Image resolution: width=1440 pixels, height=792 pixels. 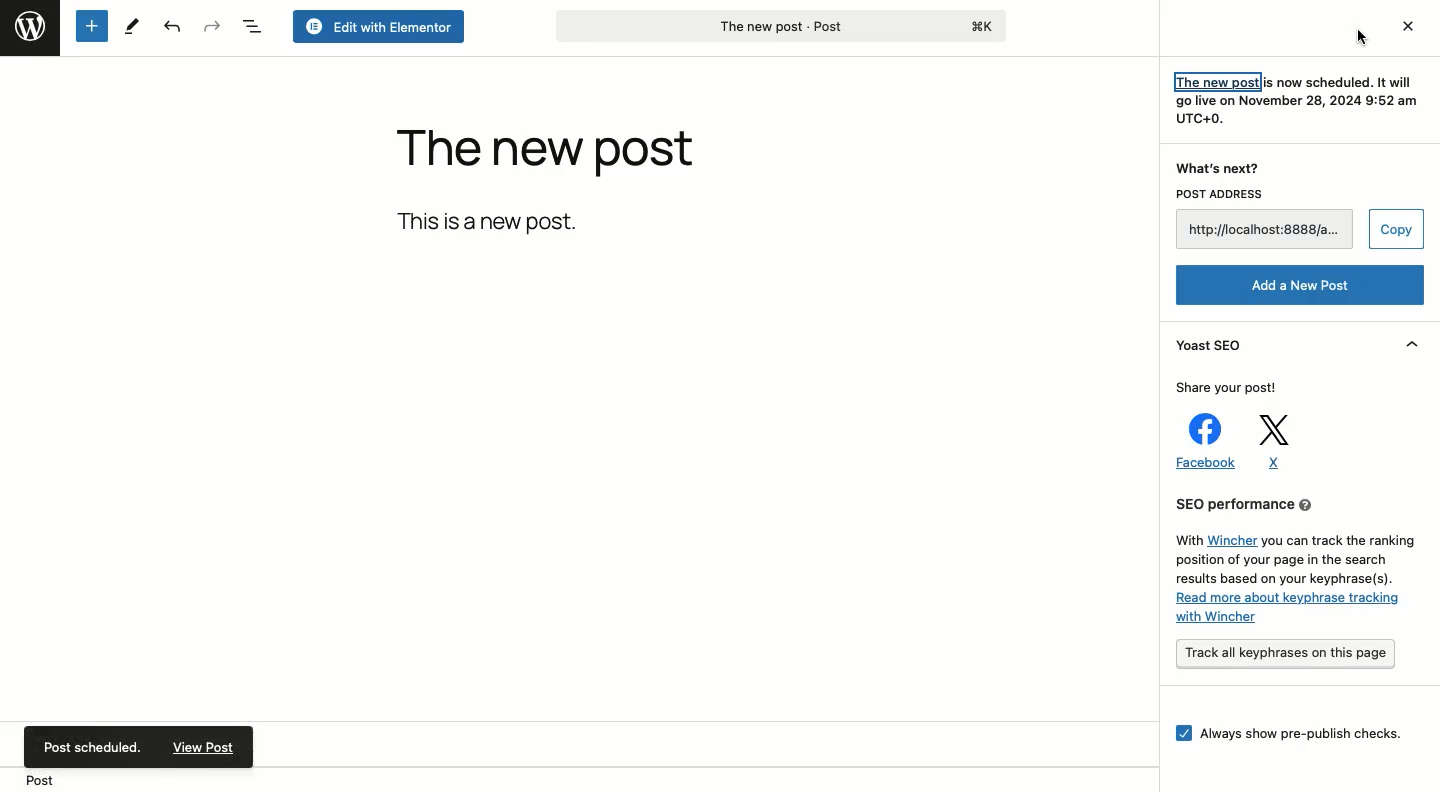 I want to click on Add new block, so click(x=92, y=26).